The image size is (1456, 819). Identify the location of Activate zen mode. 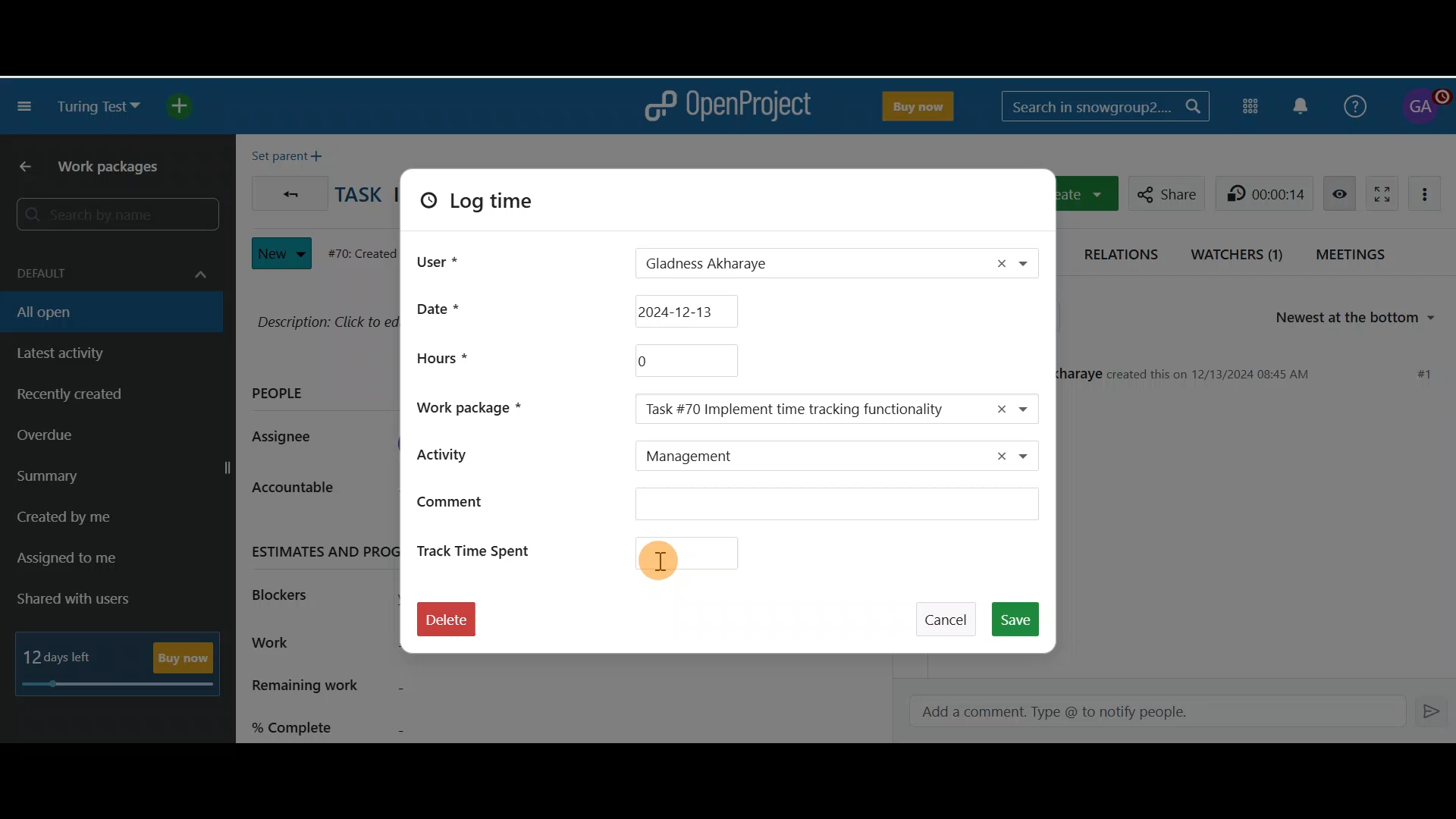
(1378, 191).